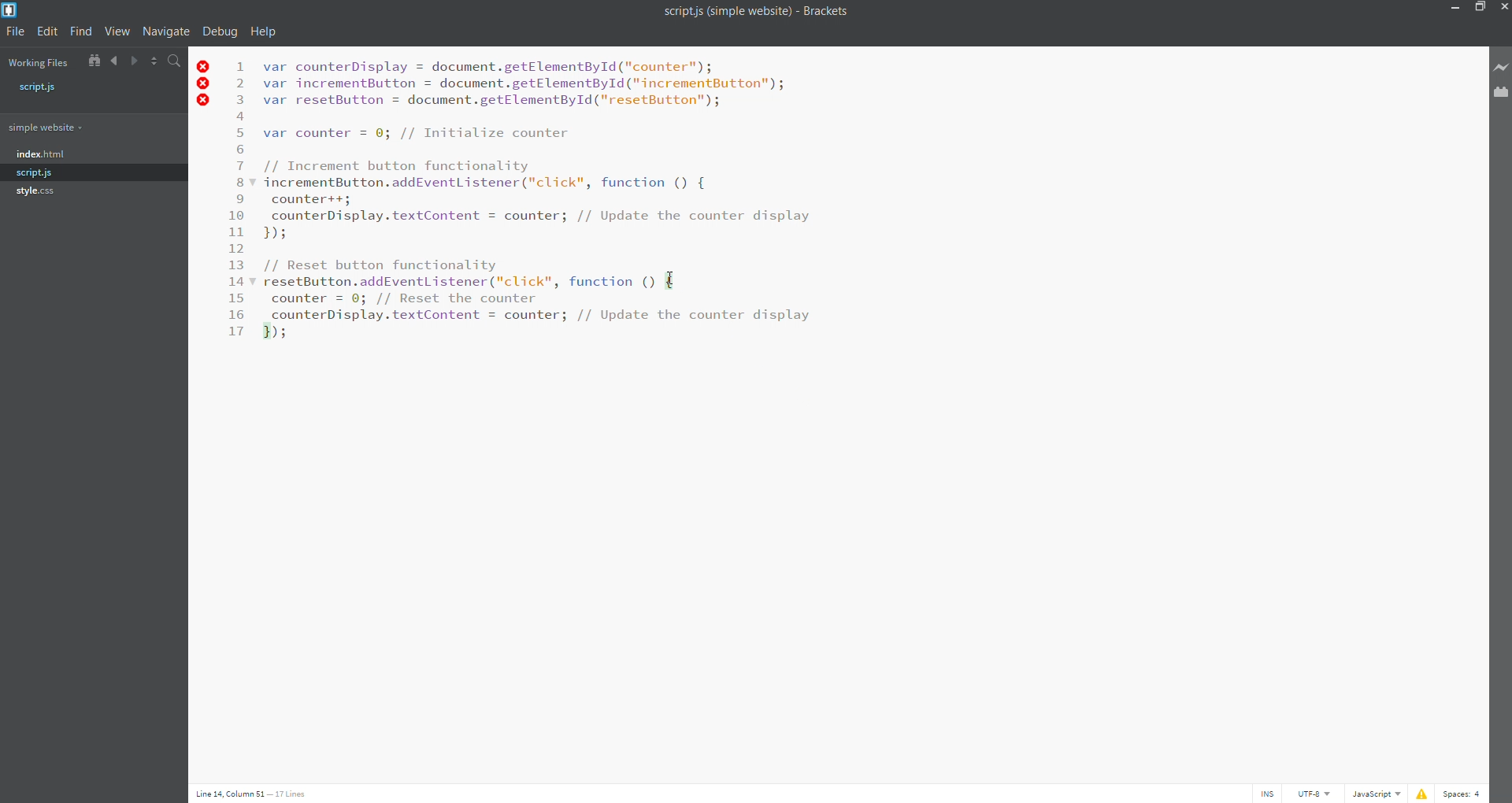 The height and width of the screenshot is (803, 1512). I want to click on minimize, so click(1455, 8).